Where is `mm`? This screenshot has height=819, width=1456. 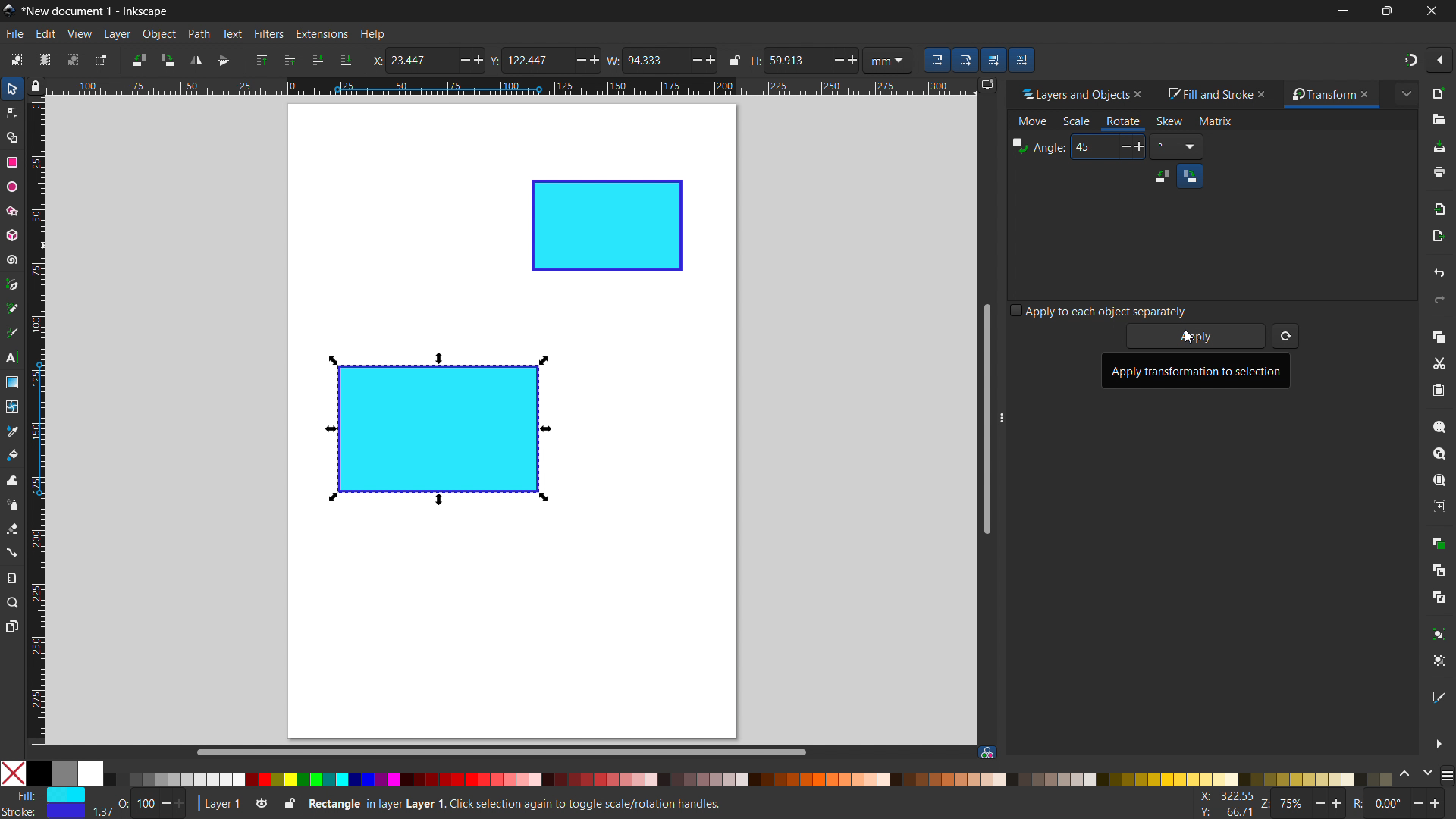
mm is located at coordinates (890, 59).